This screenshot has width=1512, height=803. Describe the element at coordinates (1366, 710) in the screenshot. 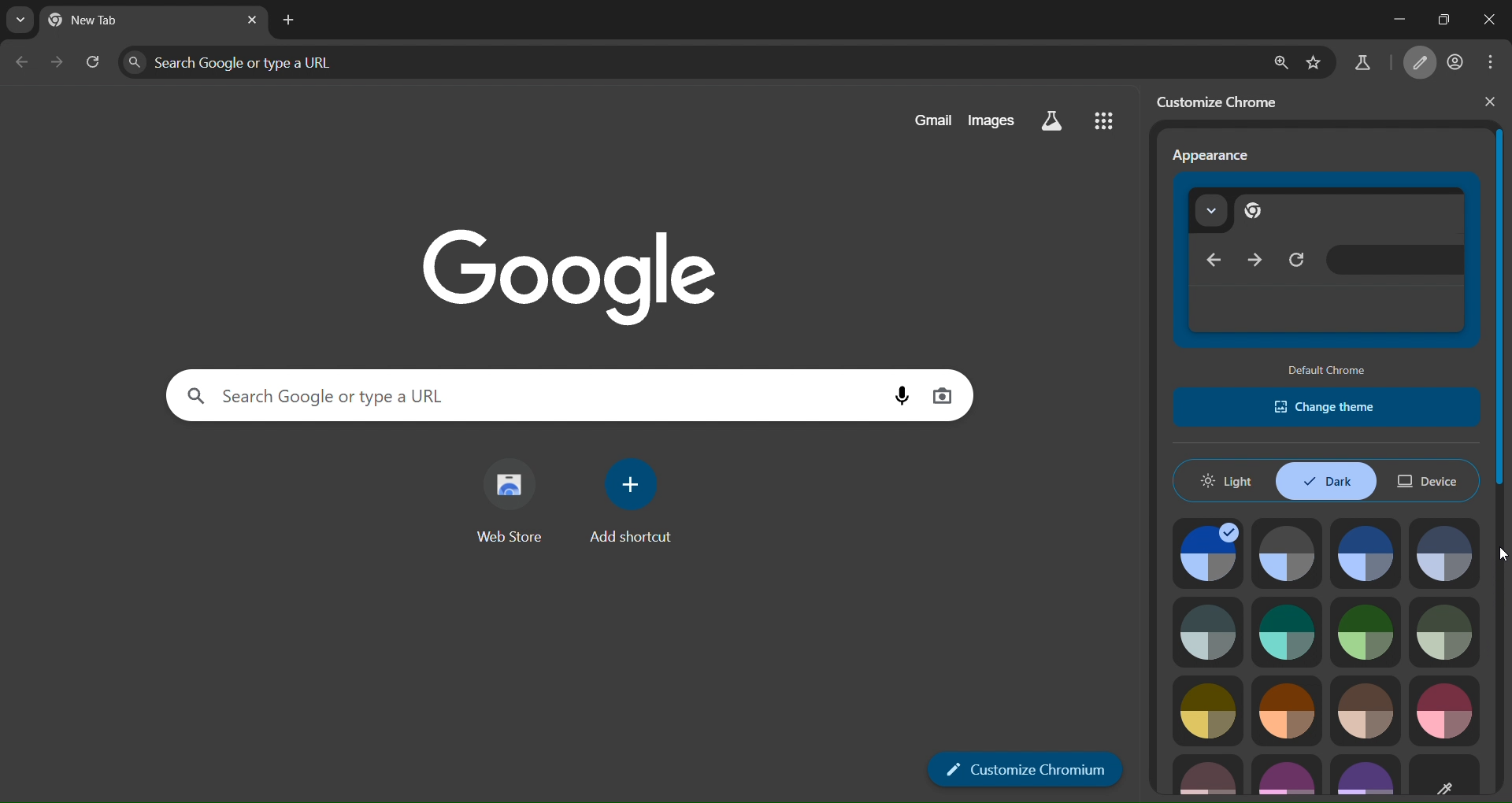

I see `theme` at that location.